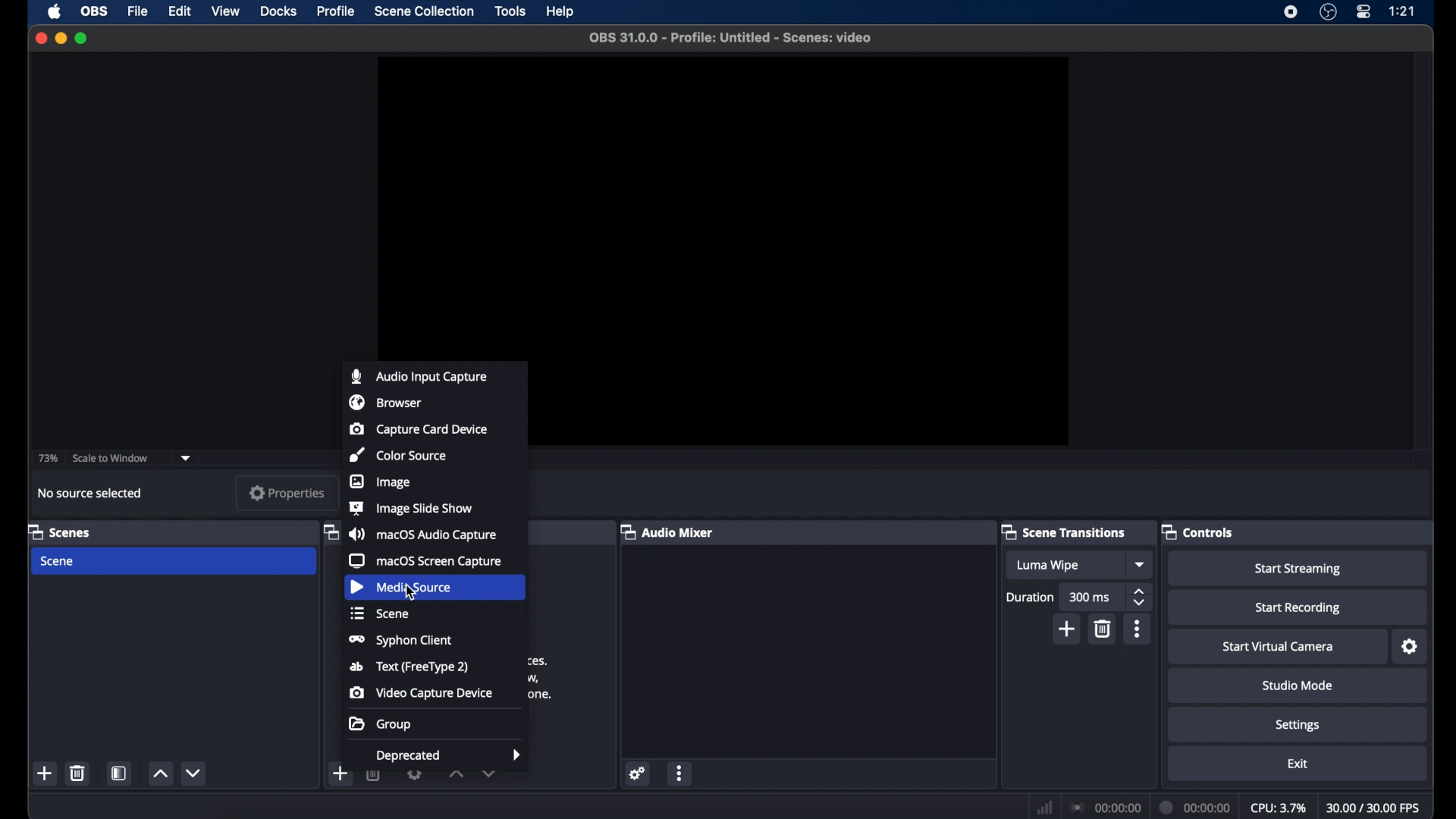  Describe the element at coordinates (1138, 629) in the screenshot. I see `more options` at that location.